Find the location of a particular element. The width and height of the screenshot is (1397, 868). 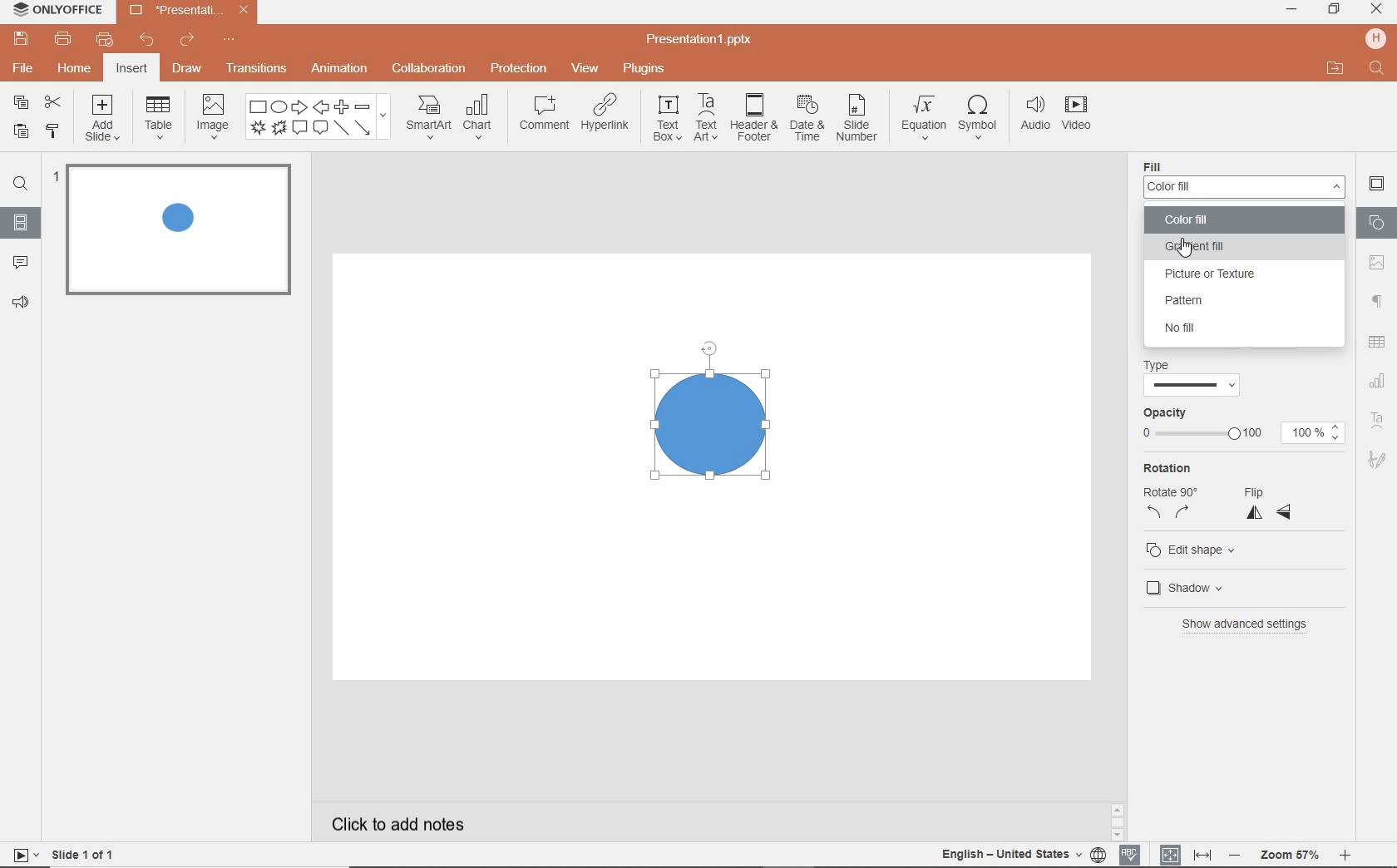

spell checking is located at coordinates (1130, 853).